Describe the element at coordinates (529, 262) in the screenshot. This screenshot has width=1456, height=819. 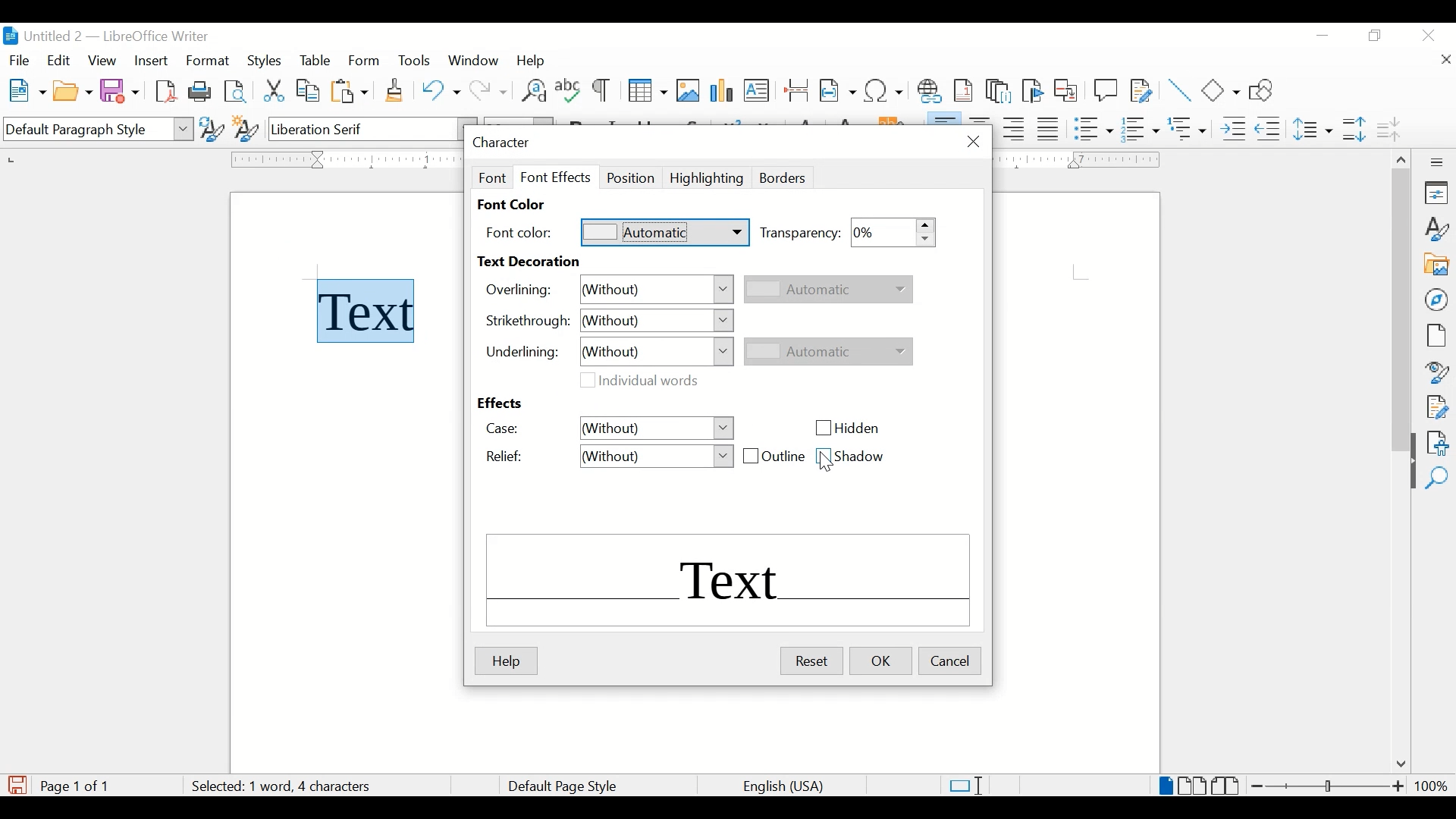
I see `text decoration` at that location.